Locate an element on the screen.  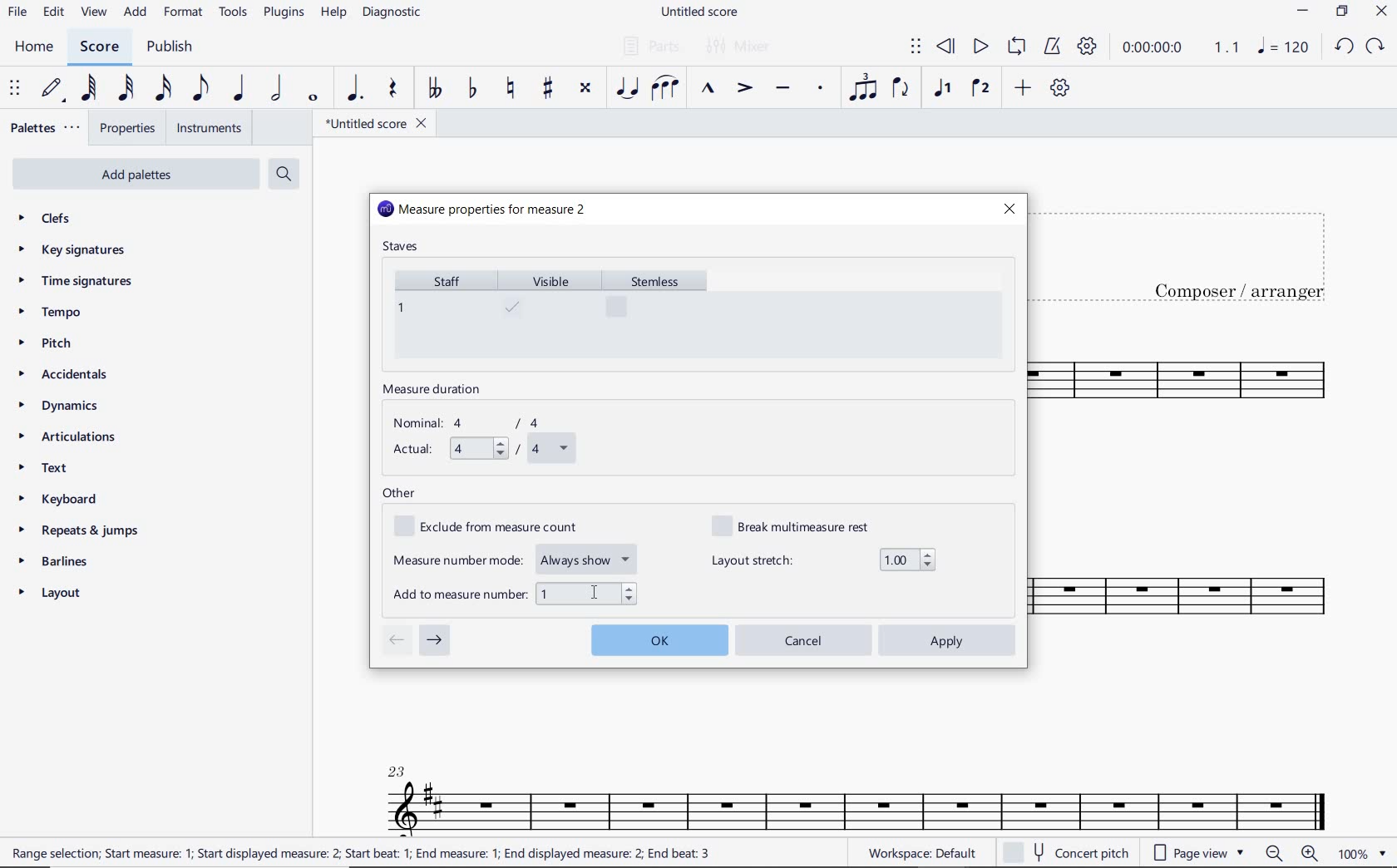
EDIT is located at coordinates (53, 14).